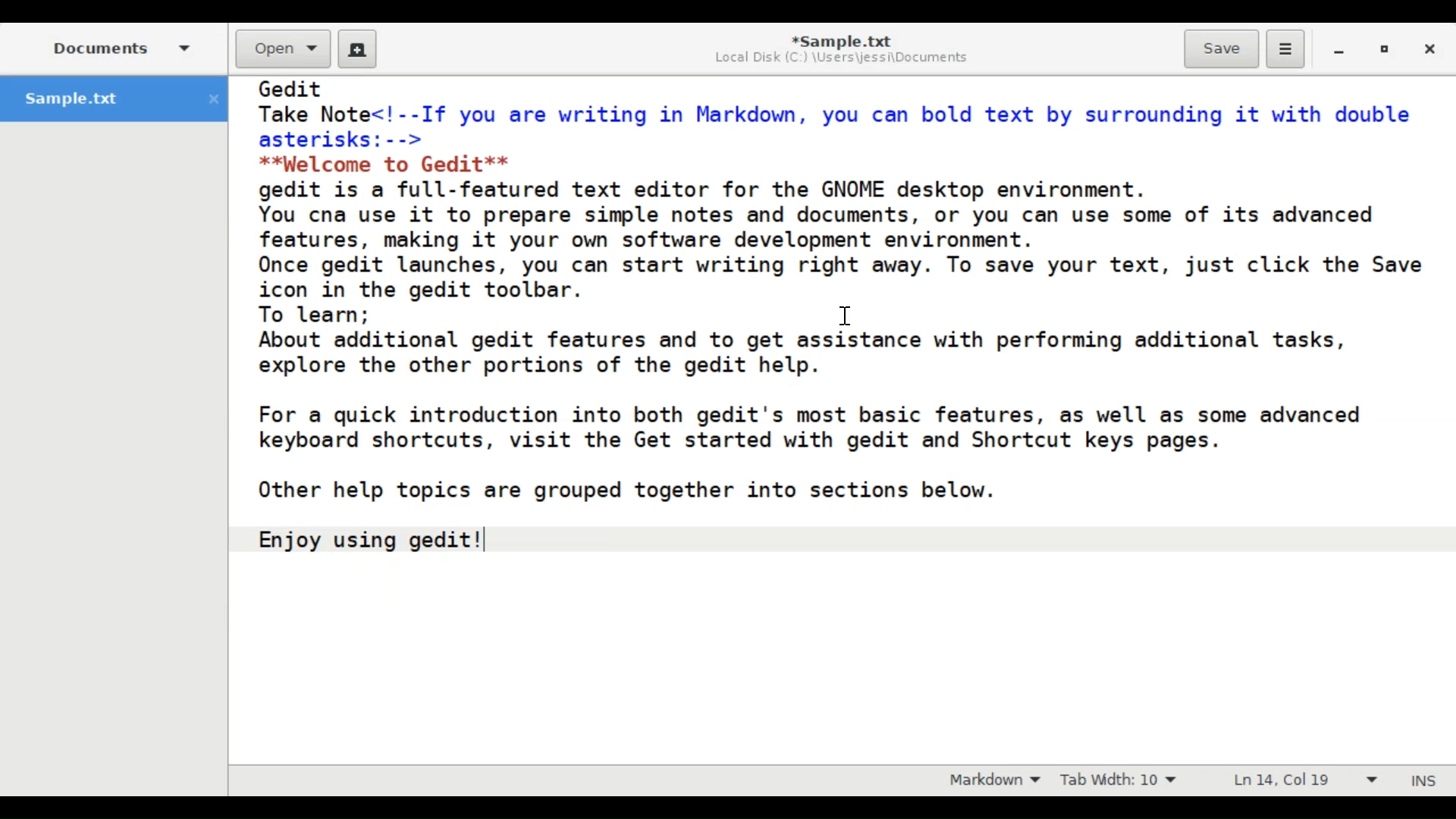 Image resolution: width=1456 pixels, height=819 pixels. Describe the element at coordinates (113, 99) in the screenshot. I see `Sample.txt` at that location.